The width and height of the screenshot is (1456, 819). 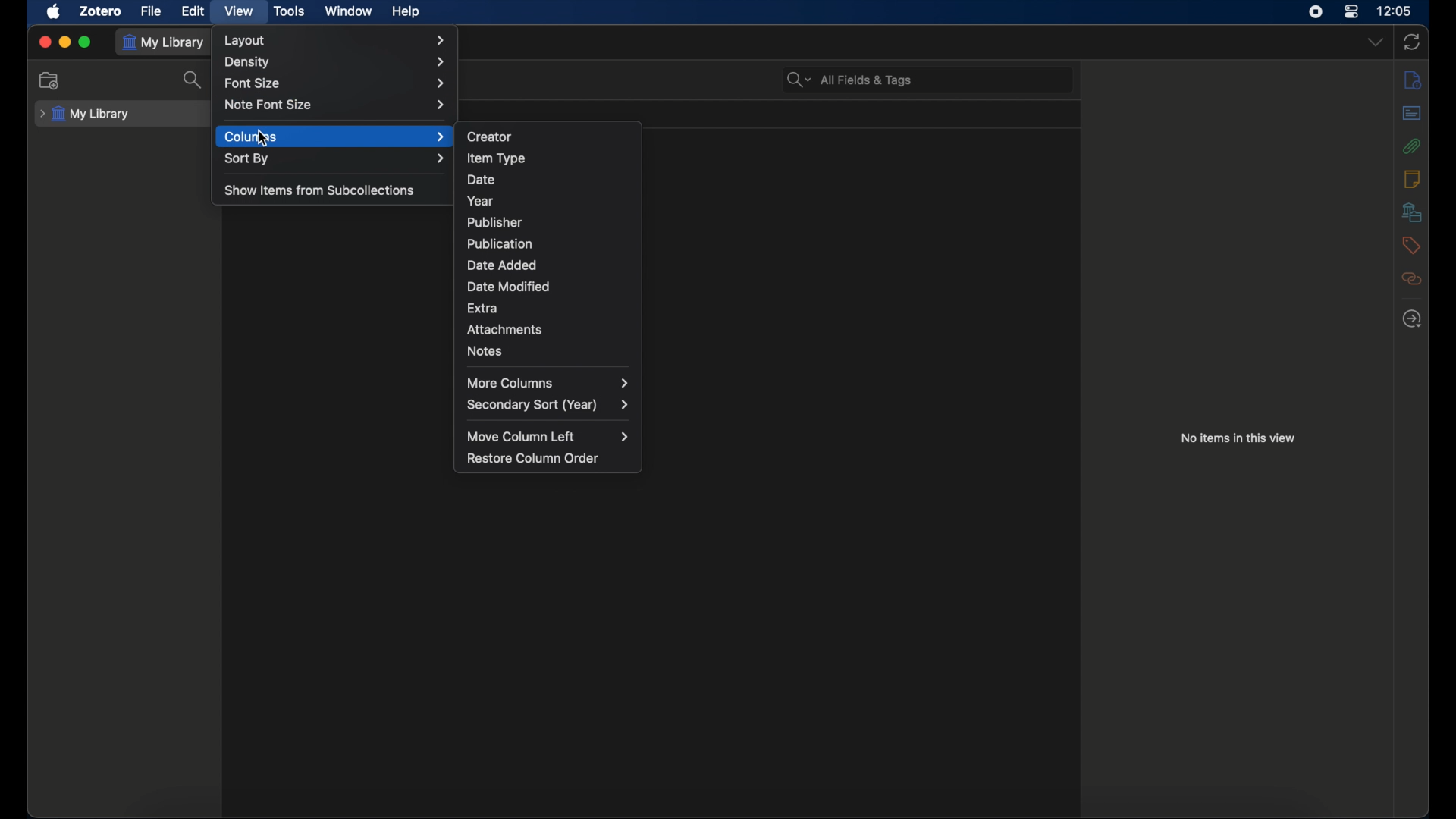 I want to click on notes, so click(x=484, y=350).